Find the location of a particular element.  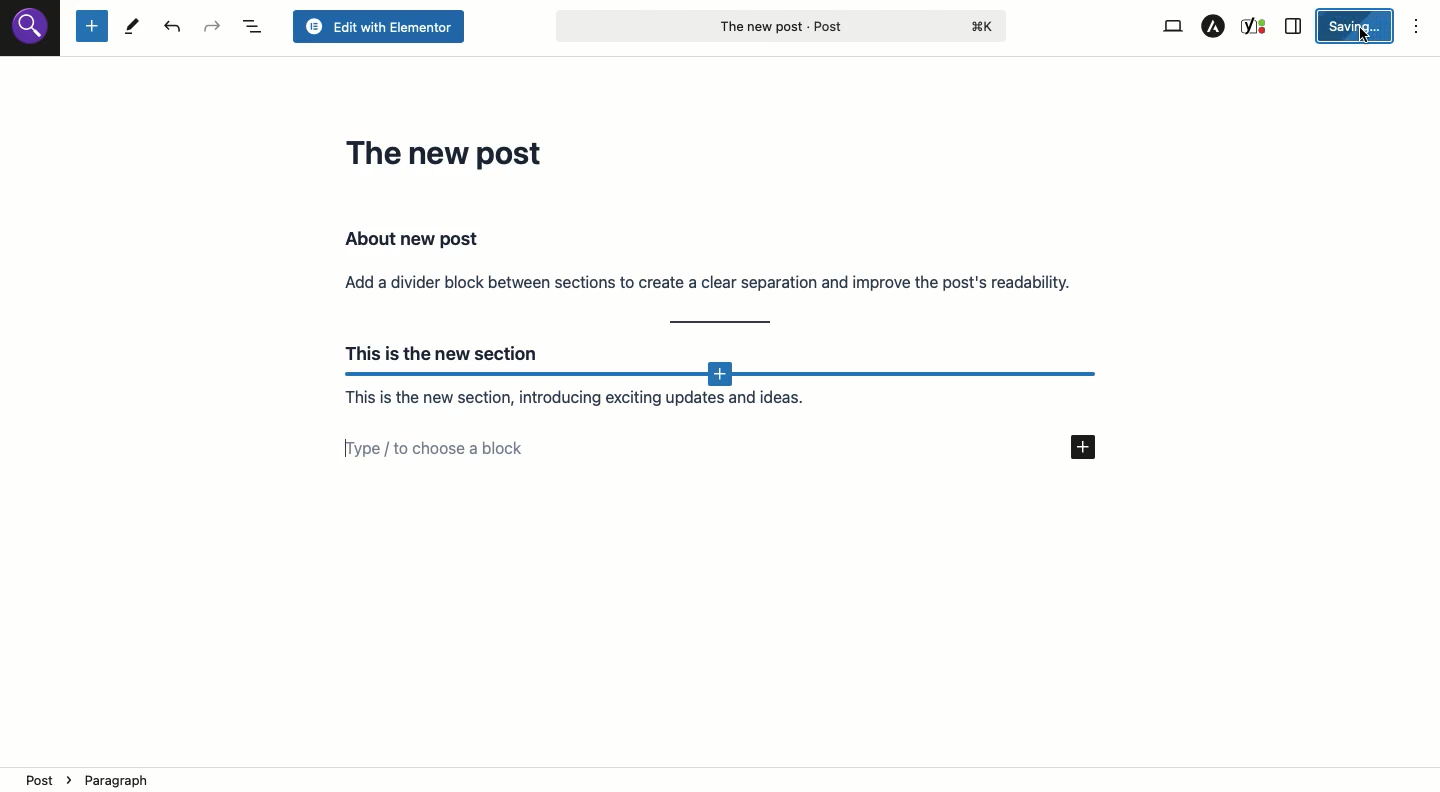

Section 1 is located at coordinates (709, 259).